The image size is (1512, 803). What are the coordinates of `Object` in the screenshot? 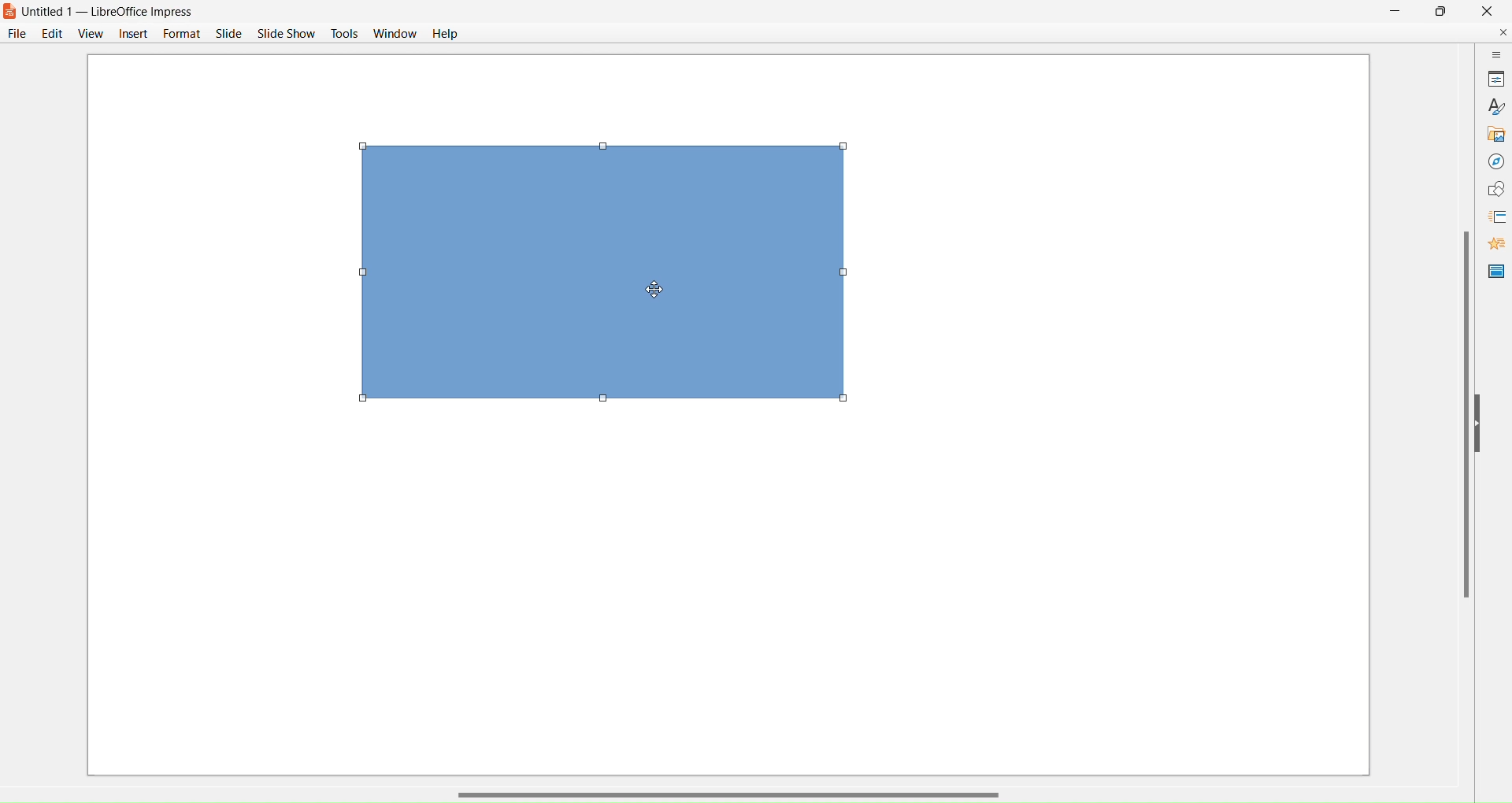 It's located at (604, 274).